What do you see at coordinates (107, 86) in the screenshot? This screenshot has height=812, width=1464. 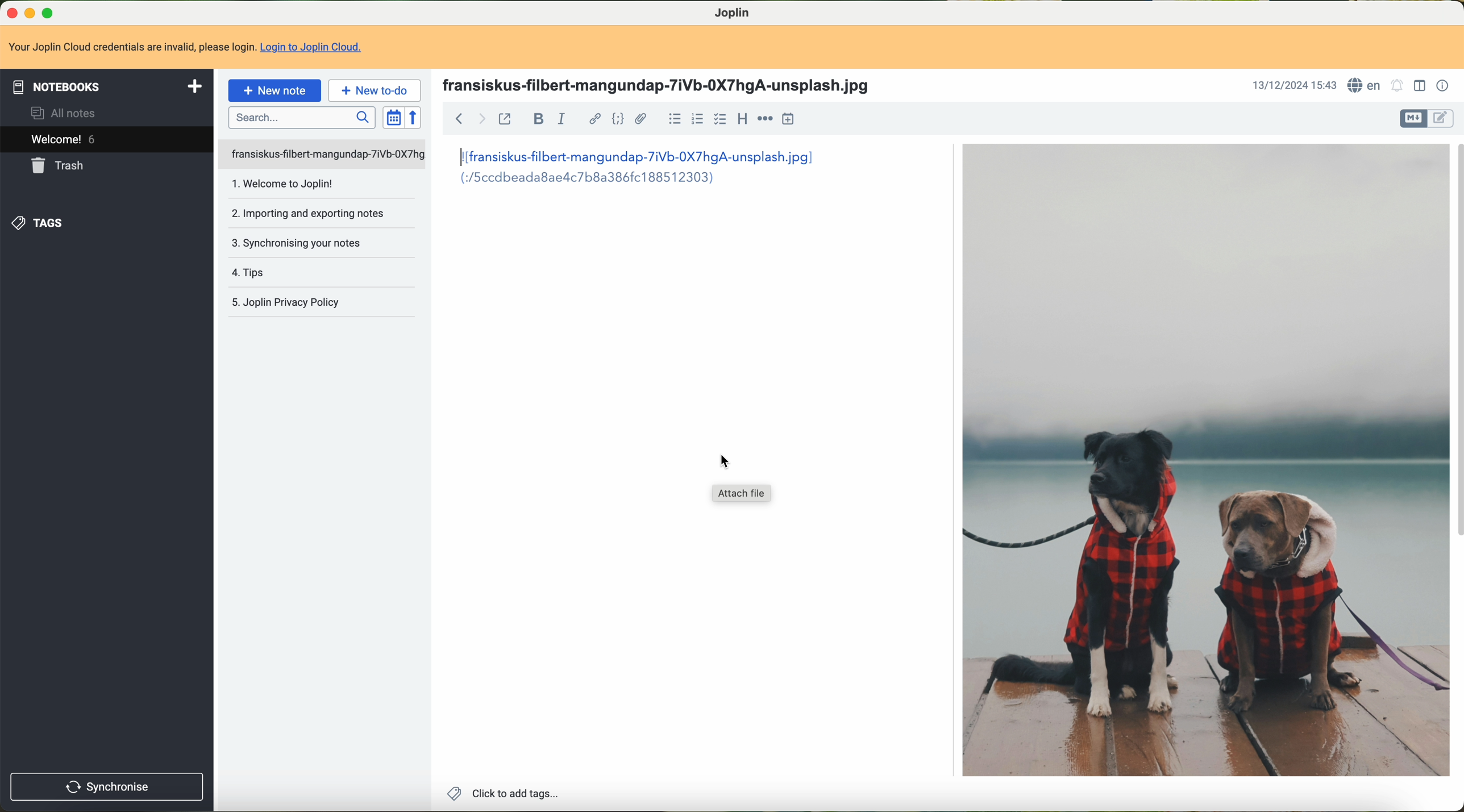 I see `notebooks` at bounding box center [107, 86].